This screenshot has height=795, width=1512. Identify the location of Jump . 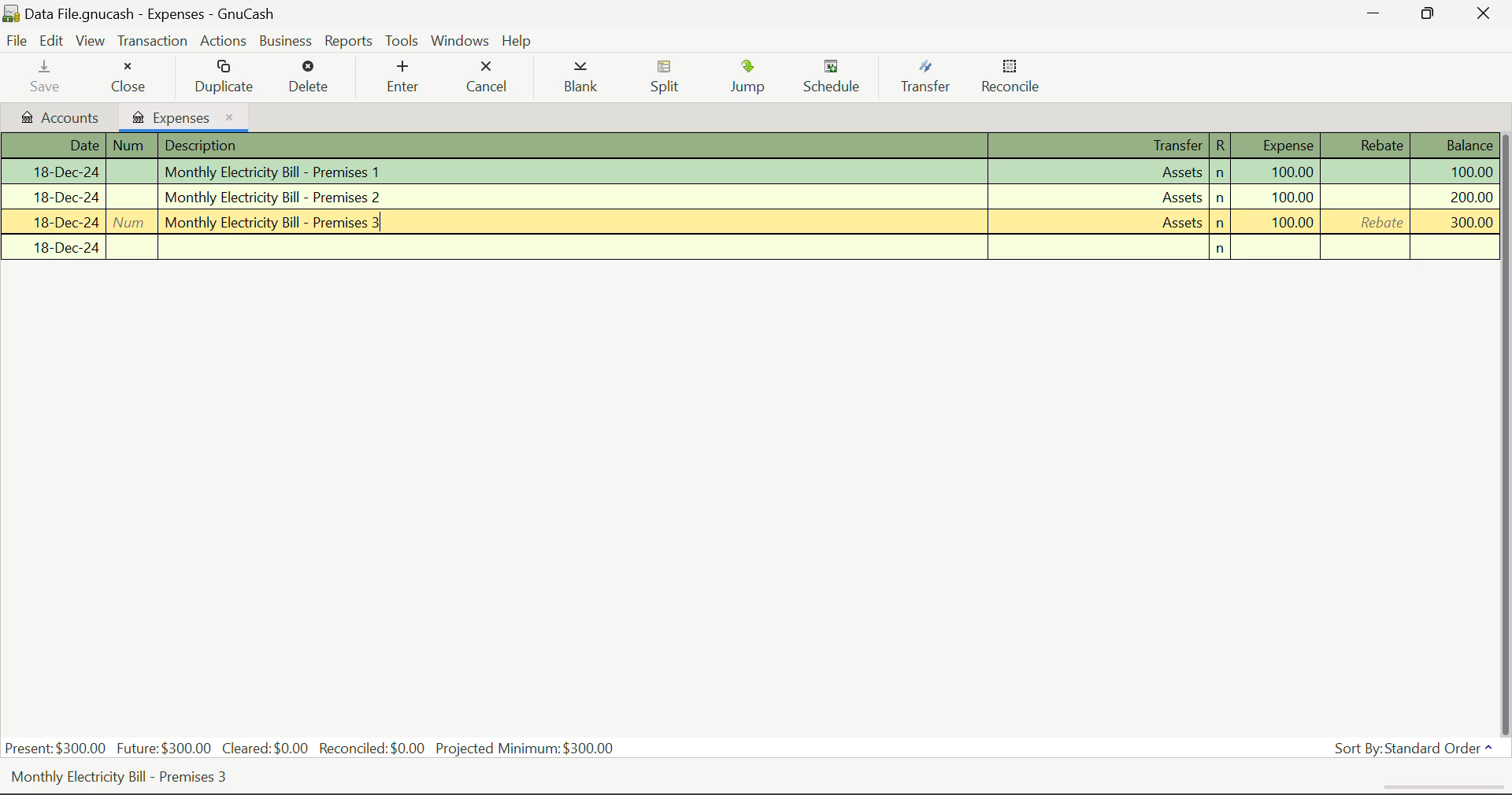
(755, 79).